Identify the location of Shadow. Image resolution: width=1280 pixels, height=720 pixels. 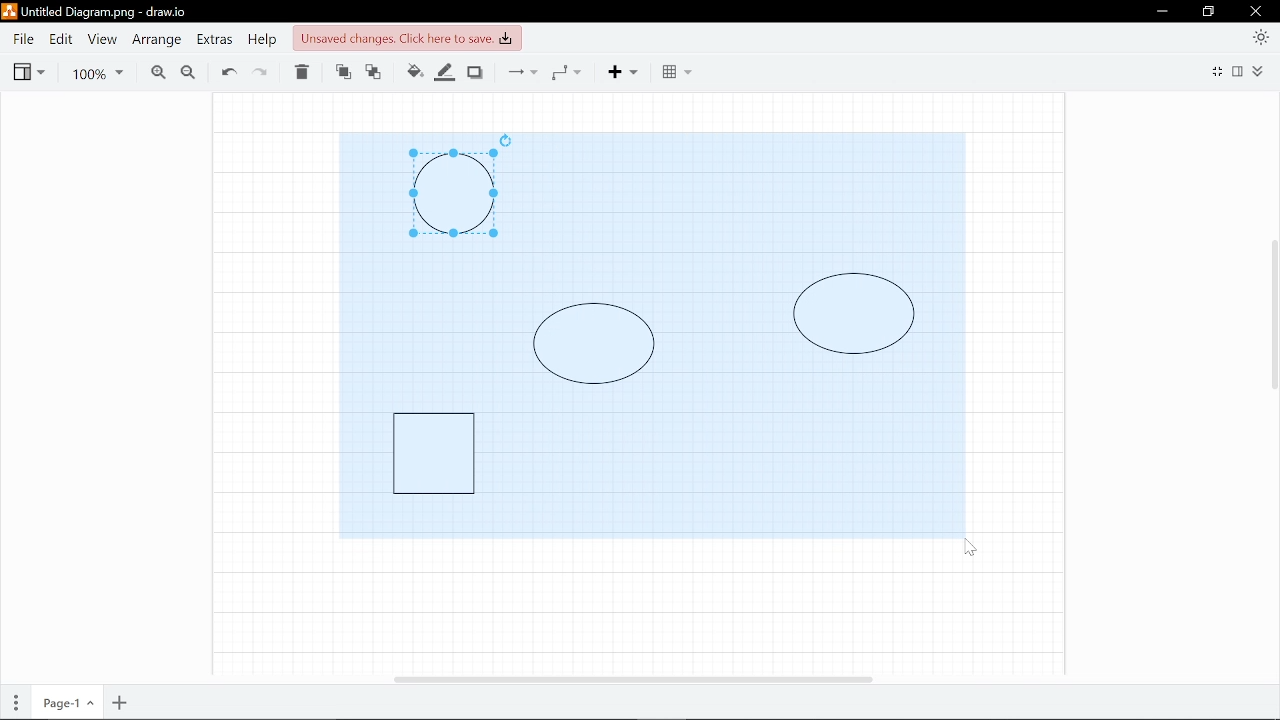
(478, 71).